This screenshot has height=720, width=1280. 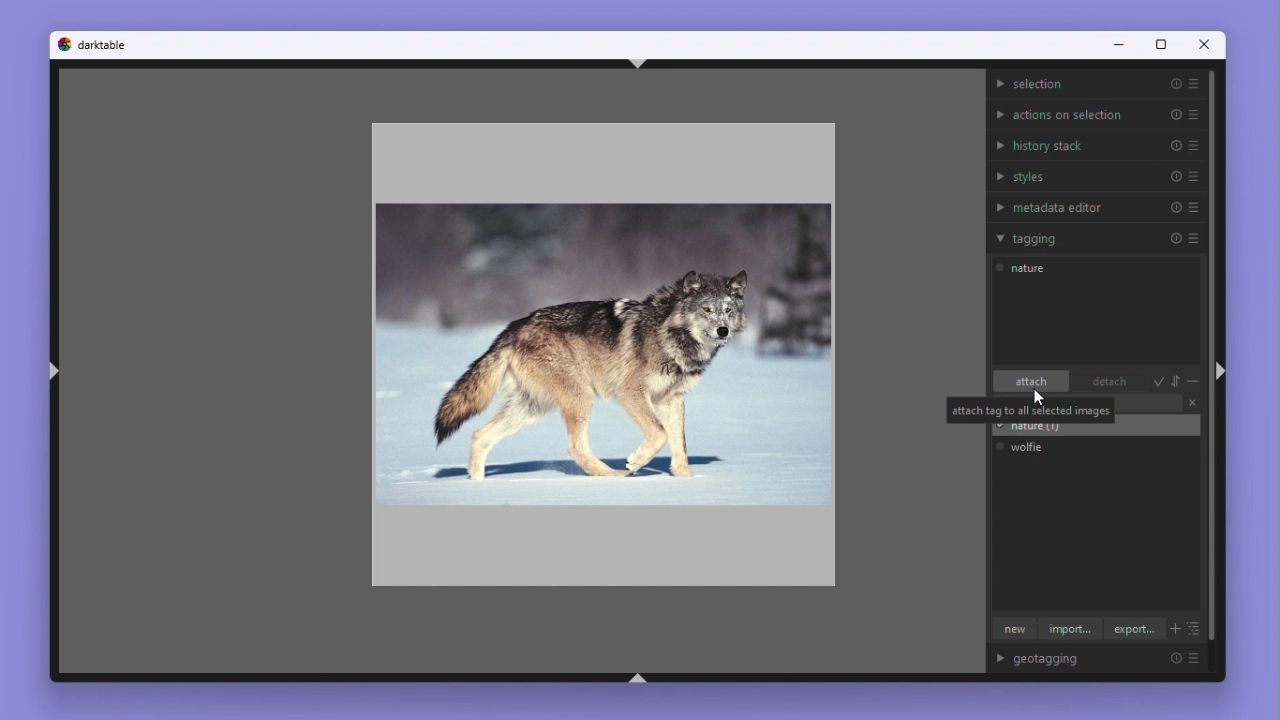 I want to click on Export, so click(x=1135, y=629).